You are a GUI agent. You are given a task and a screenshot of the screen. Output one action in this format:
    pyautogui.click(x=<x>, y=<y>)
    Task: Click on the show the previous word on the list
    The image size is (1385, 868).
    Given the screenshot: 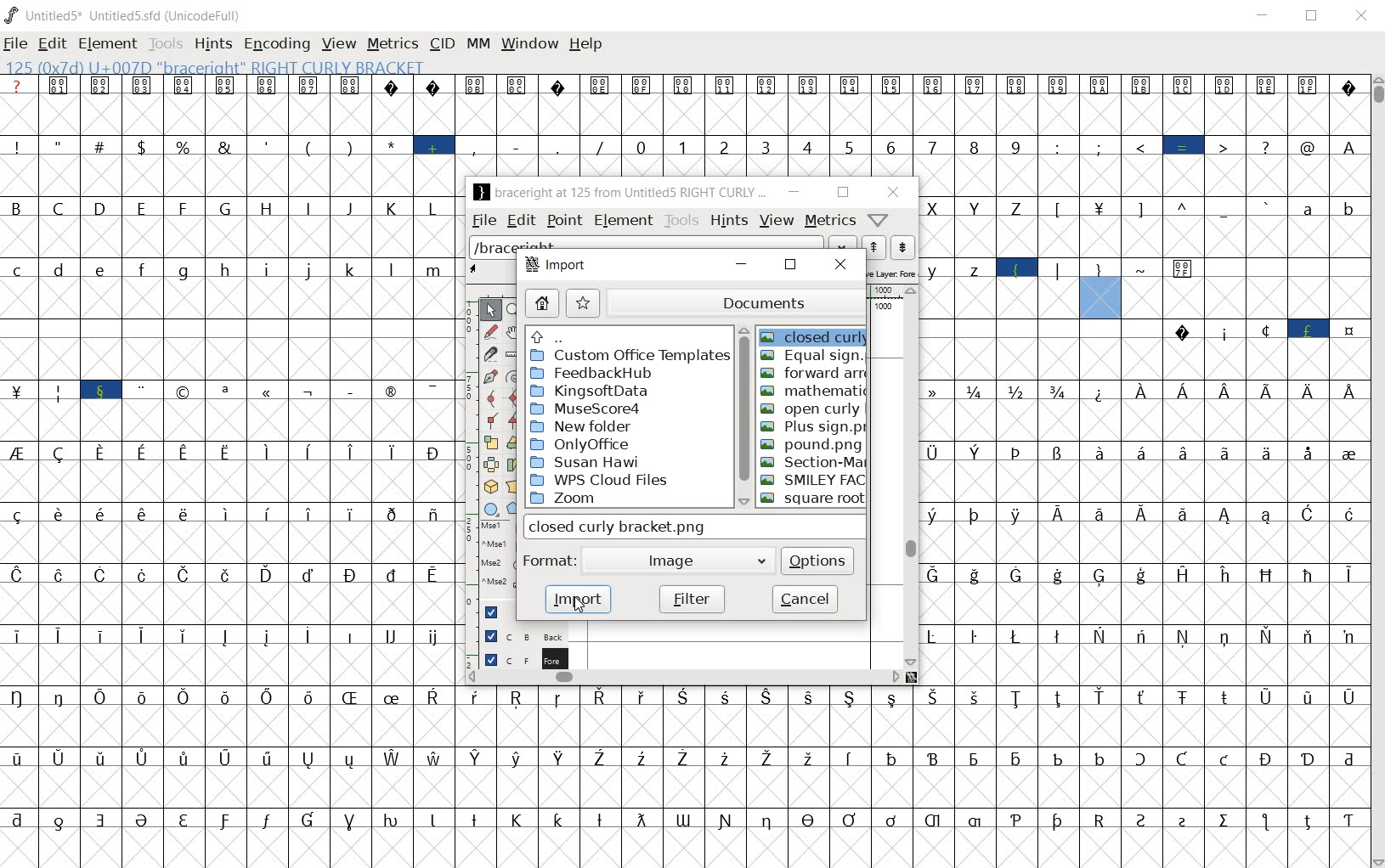 What is the action you would take?
    pyautogui.click(x=902, y=247)
    